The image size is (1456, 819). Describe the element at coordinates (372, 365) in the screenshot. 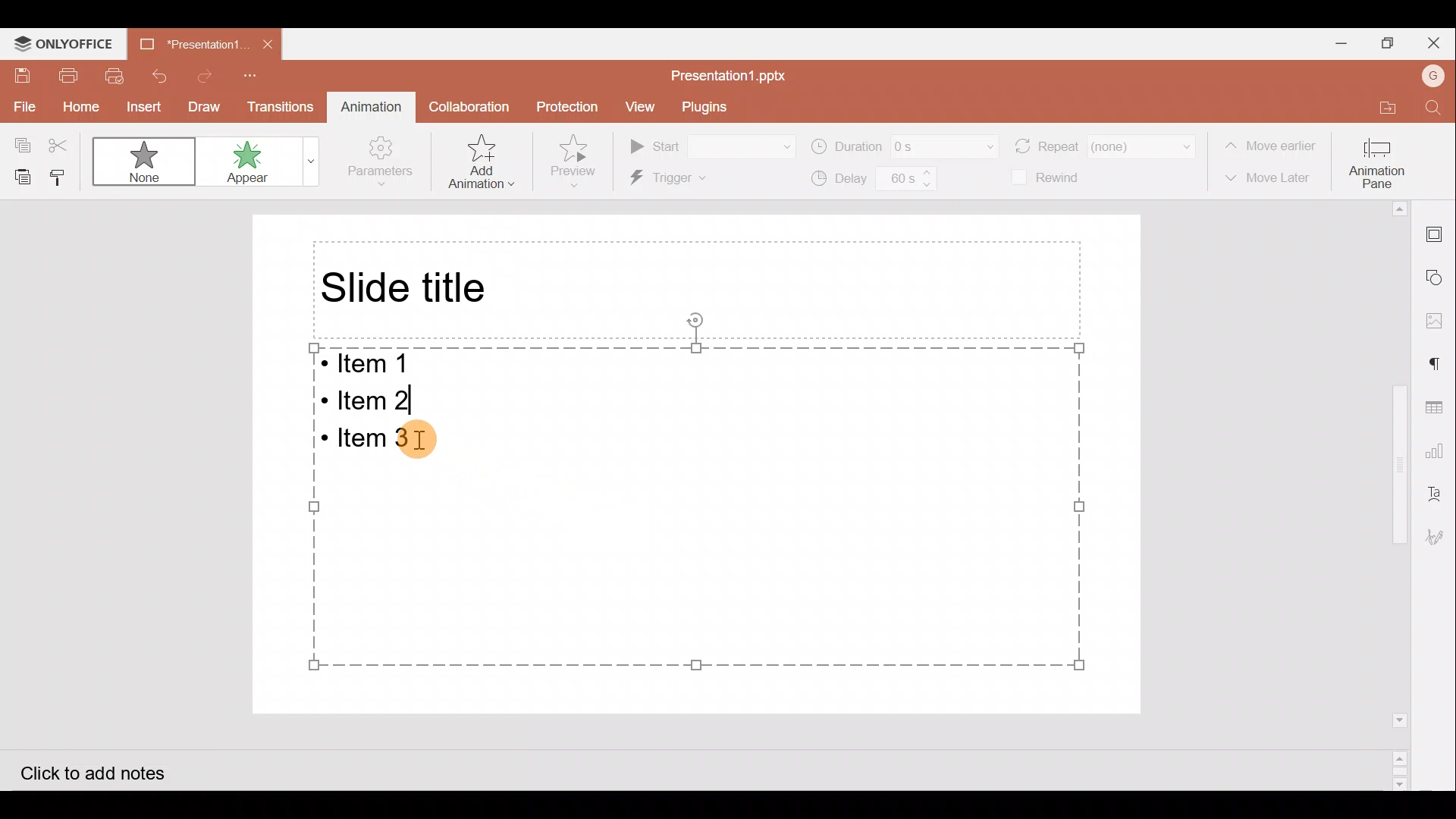

I see `Bulleted Item 1 on the presentation slide` at that location.